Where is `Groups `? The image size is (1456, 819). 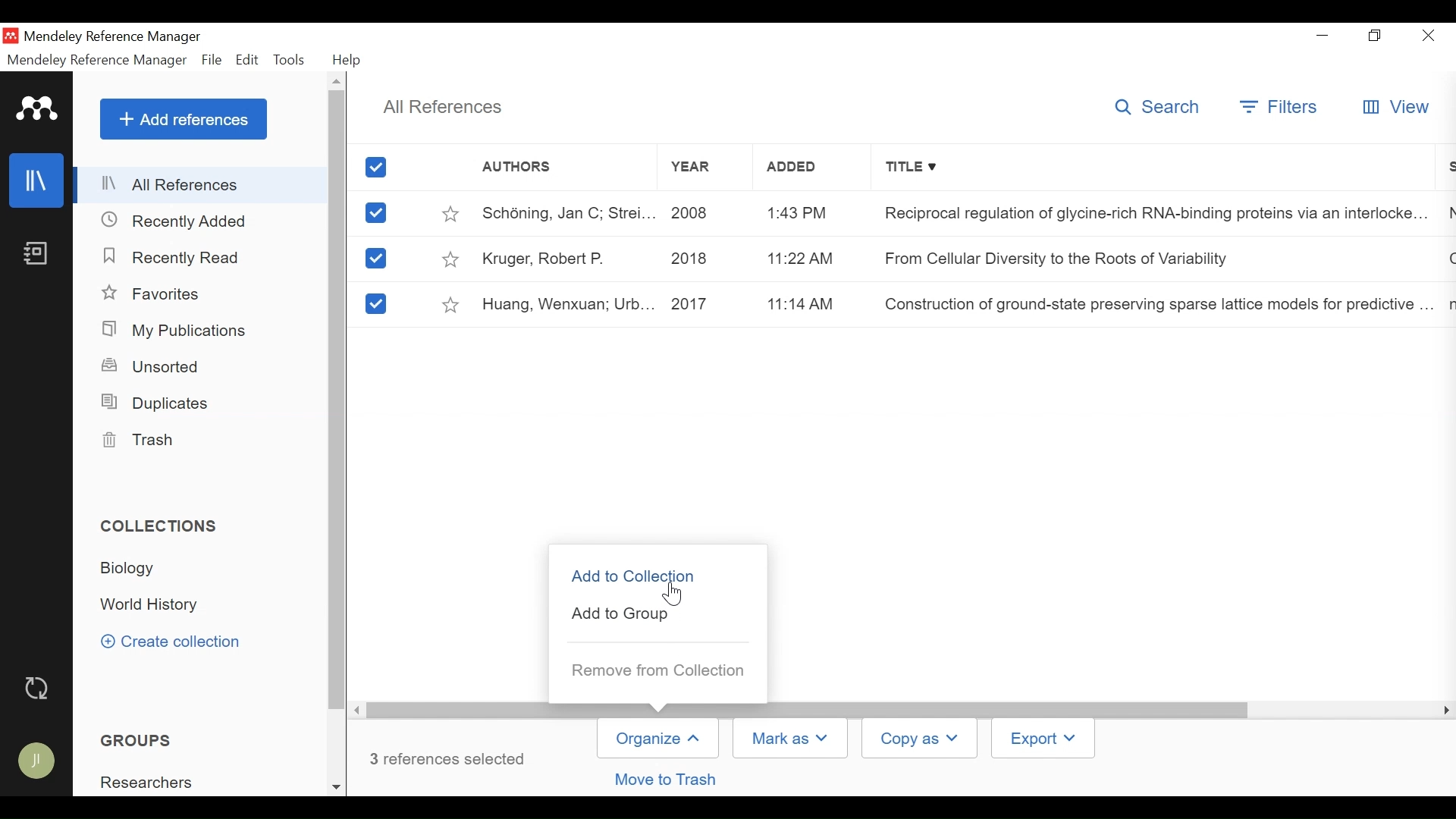
Groups  is located at coordinates (131, 741).